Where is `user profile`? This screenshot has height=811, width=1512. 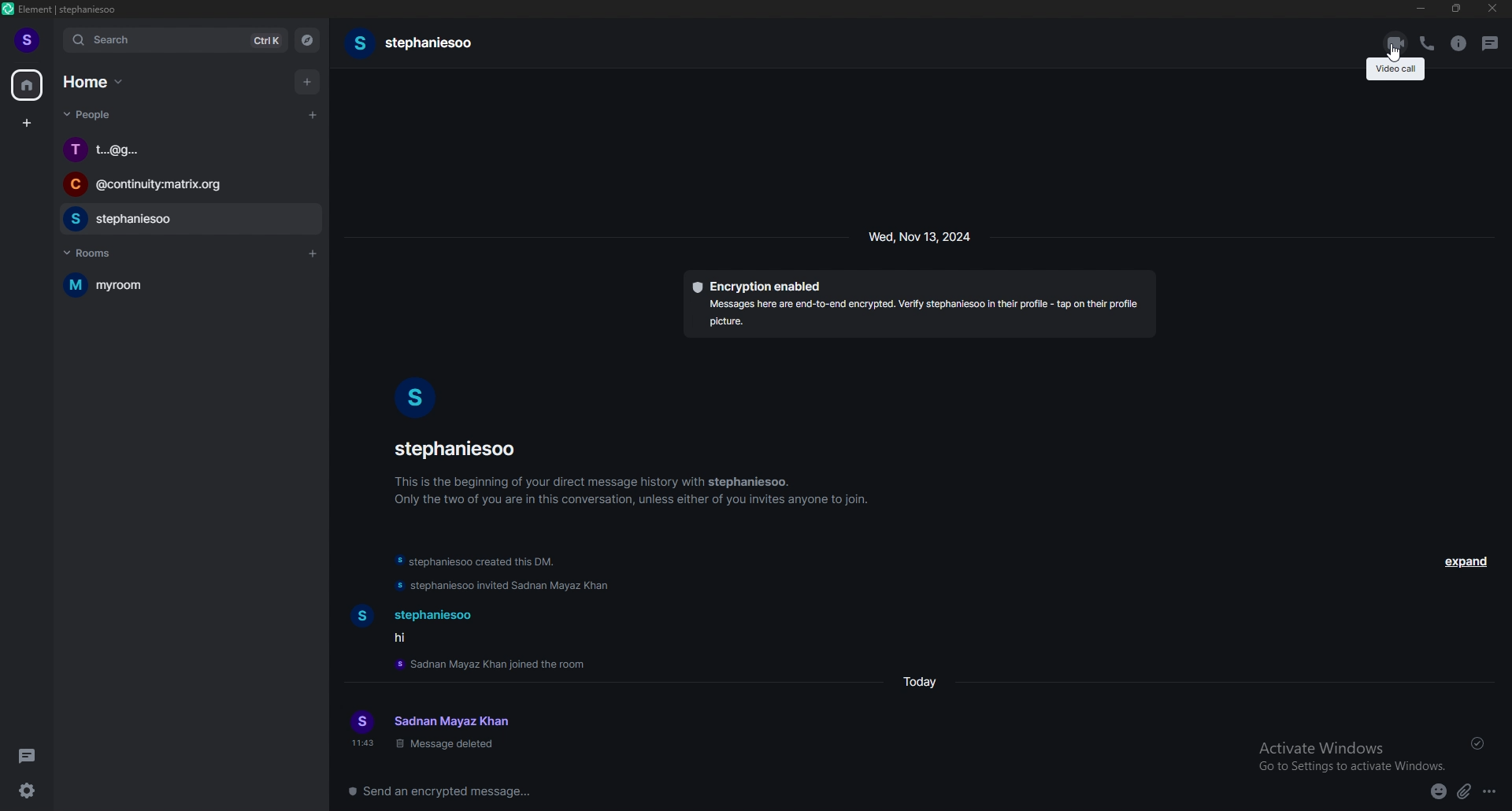 user profile is located at coordinates (361, 720).